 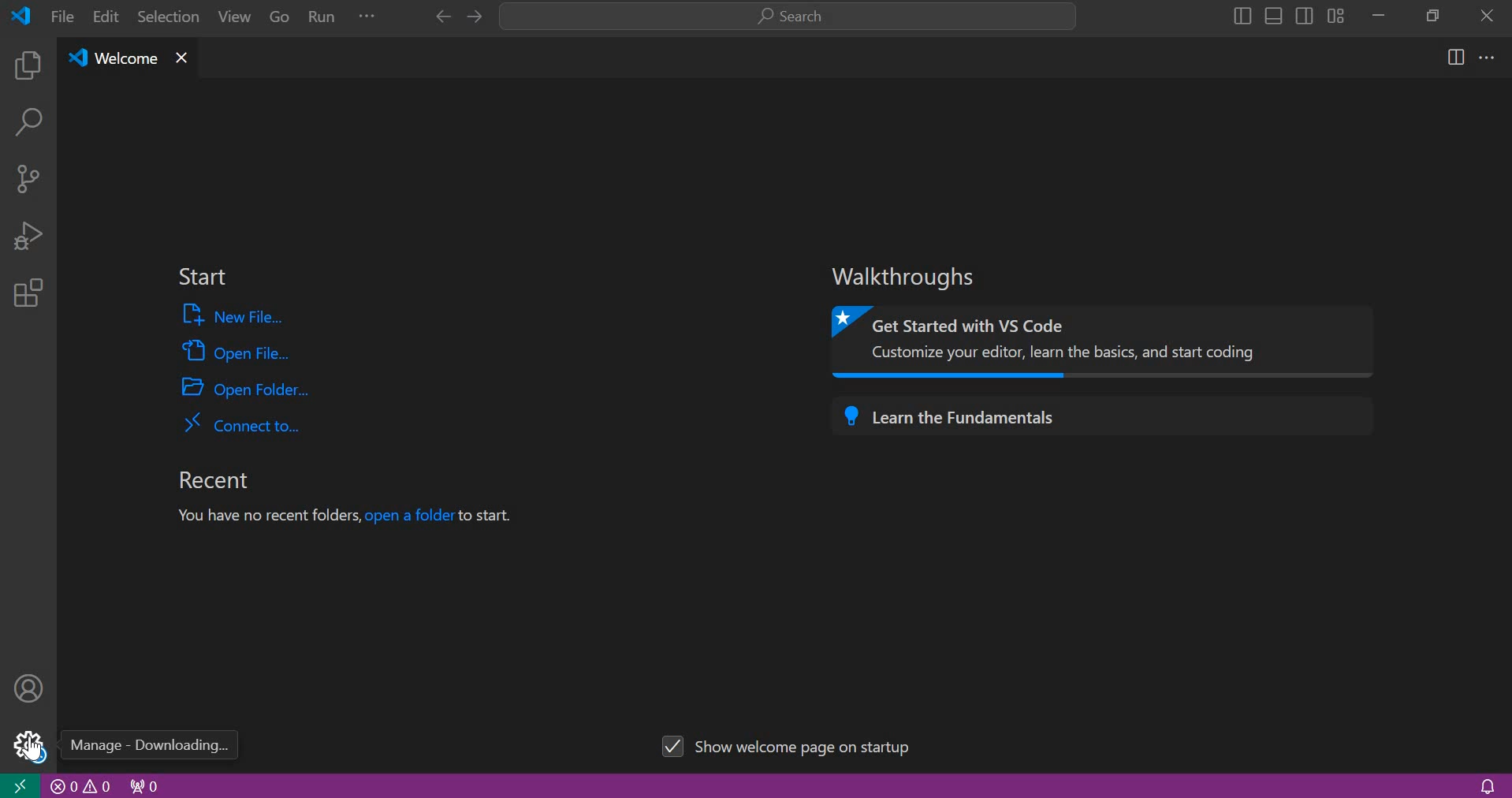 What do you see at coordinates (911, 277) in the screenshot?
I see `walkthroughs` at bounding box center [911, 277].